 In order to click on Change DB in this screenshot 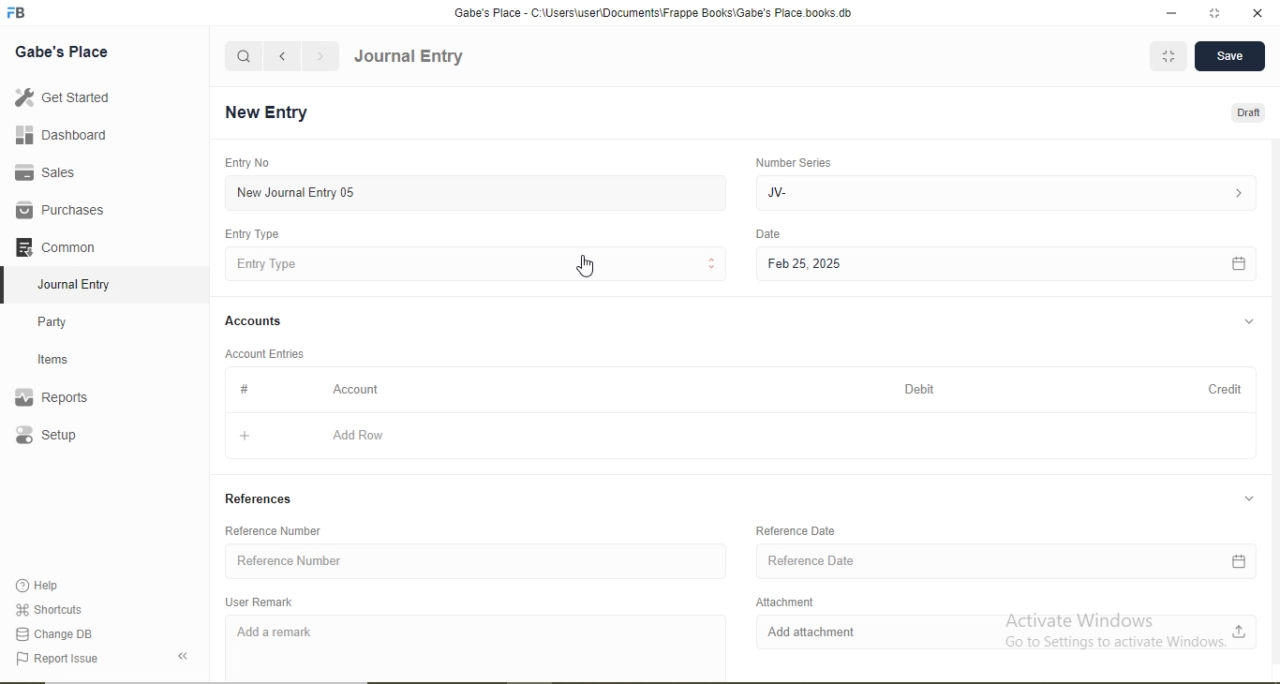, I will do `click(55, 633)`.